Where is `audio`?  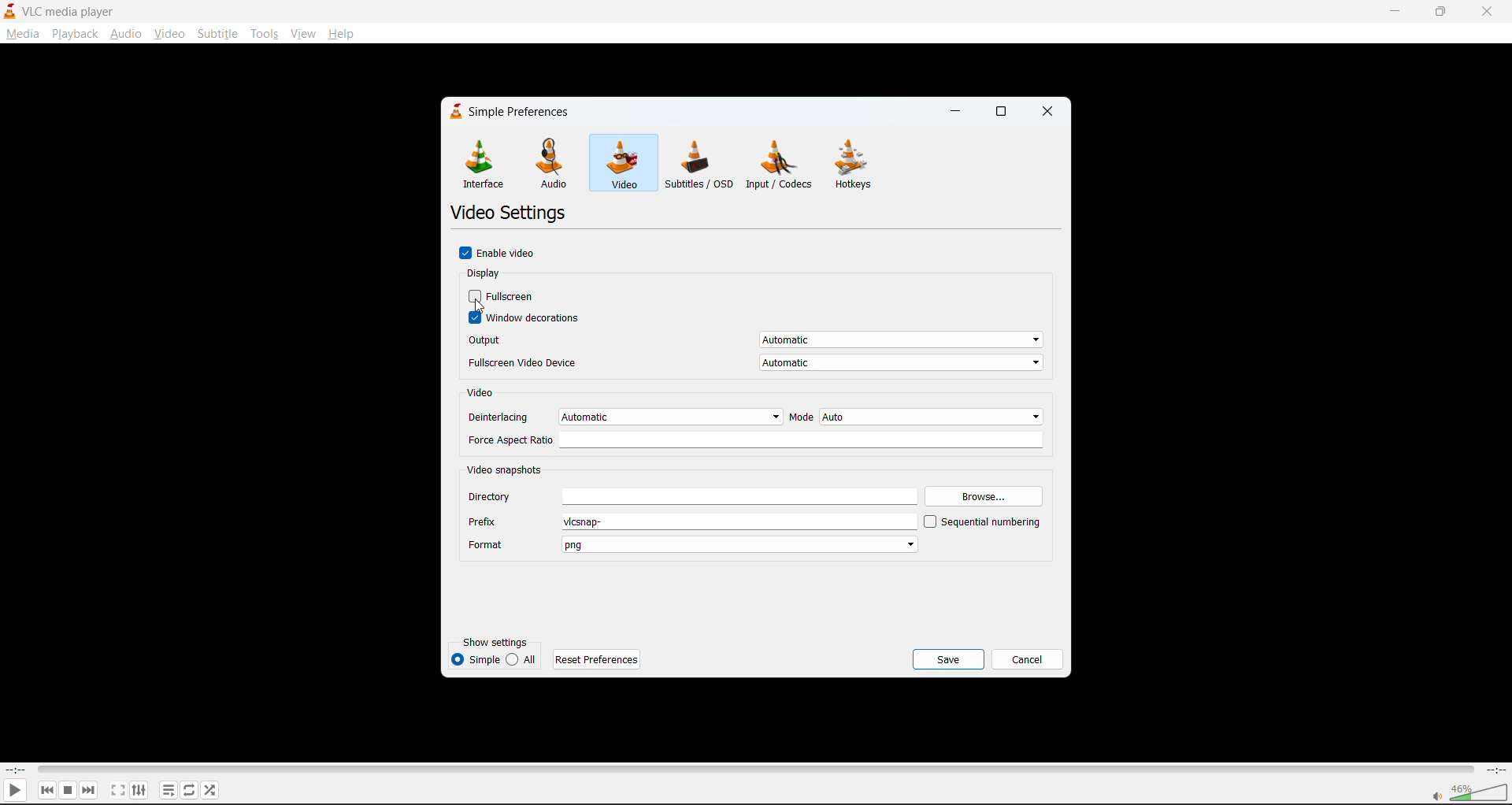
audio is located at coordinates (557, 162).